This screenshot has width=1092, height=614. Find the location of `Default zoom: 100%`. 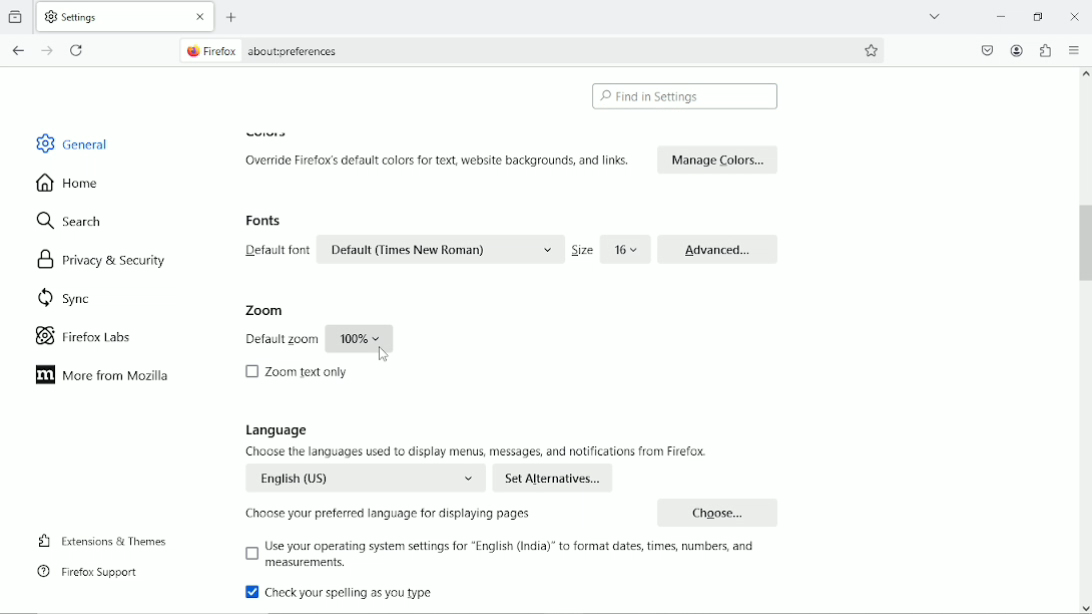

Default zoom: 100% is located at coordinates (317, 339).